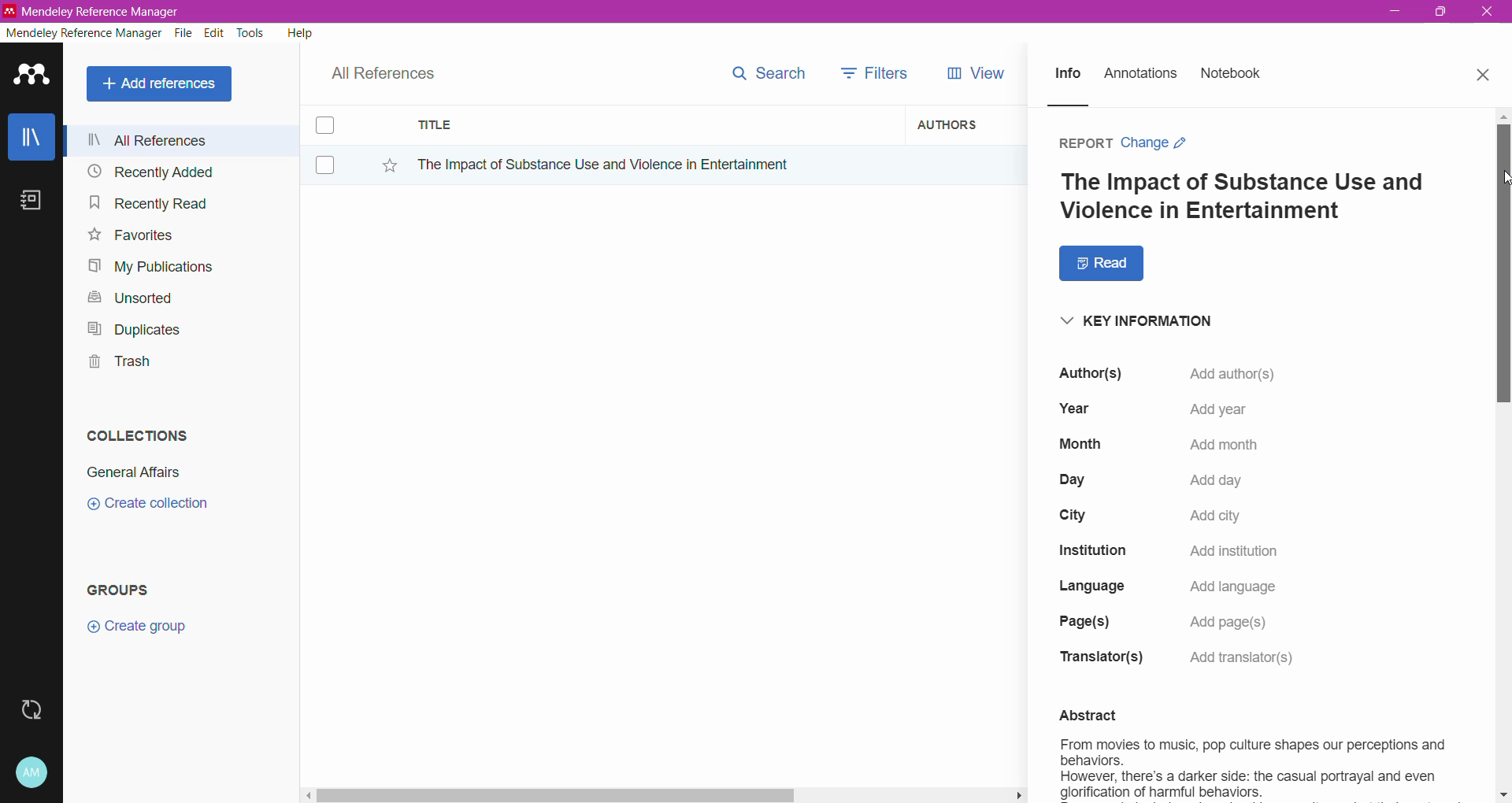 This screenshot has width=1512, height=803. Describe the element at coordinates (394, 69) in the screenshot. I see `All References` at that location.